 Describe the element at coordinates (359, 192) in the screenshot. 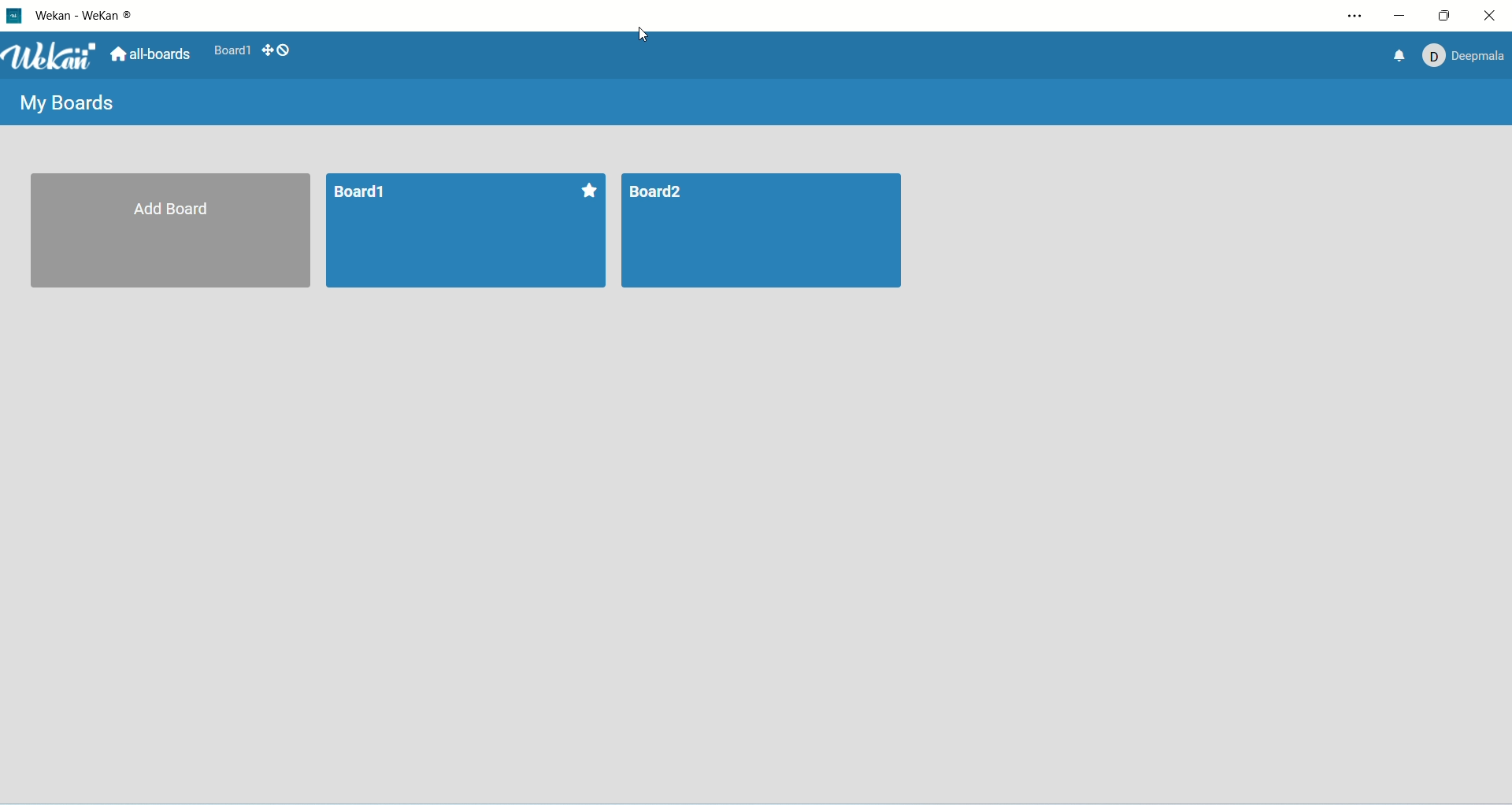

I see `board name` at that location.